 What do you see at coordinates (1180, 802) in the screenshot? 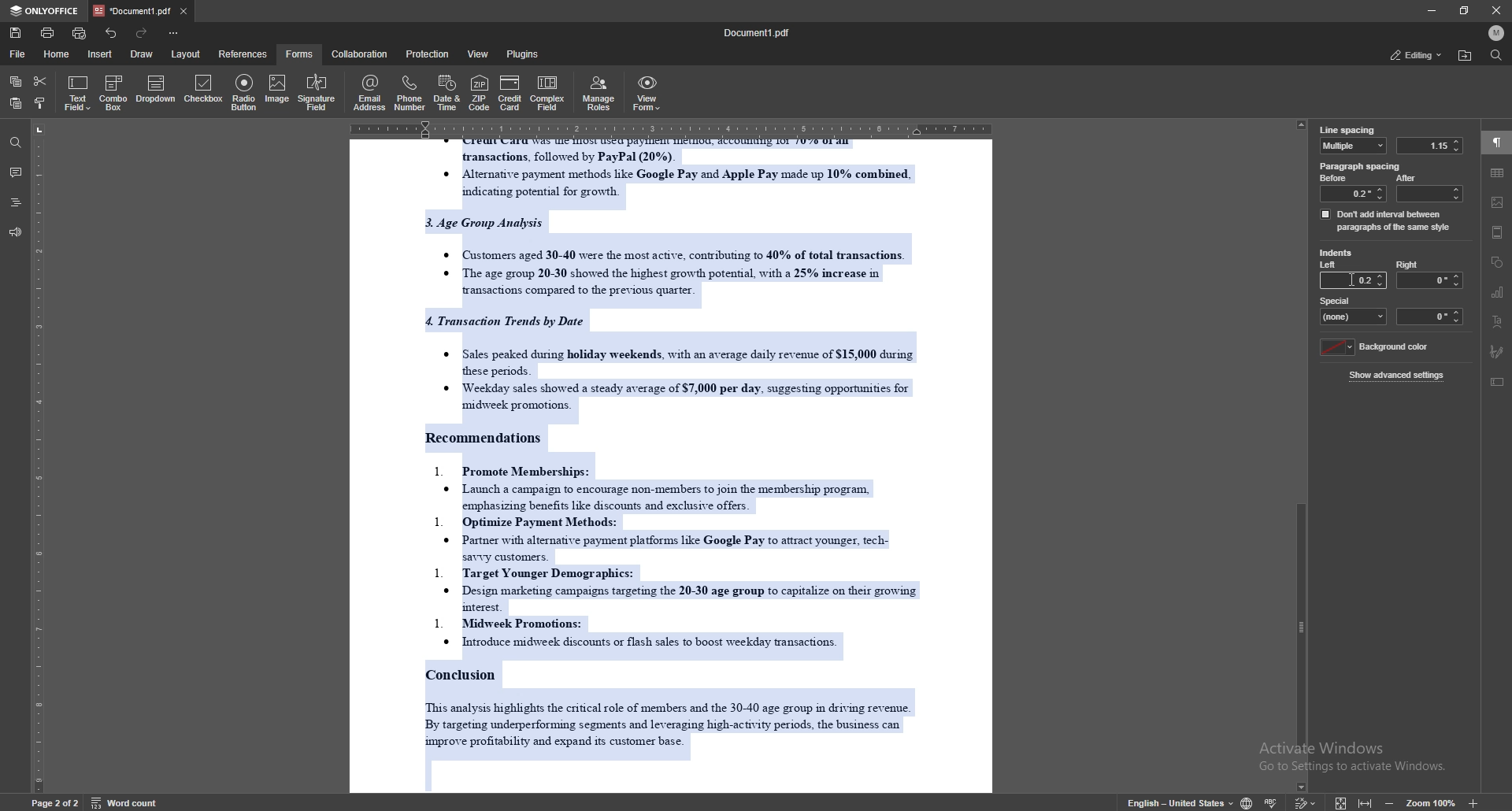
I see `change text language` at bounding box center [1180, 802].